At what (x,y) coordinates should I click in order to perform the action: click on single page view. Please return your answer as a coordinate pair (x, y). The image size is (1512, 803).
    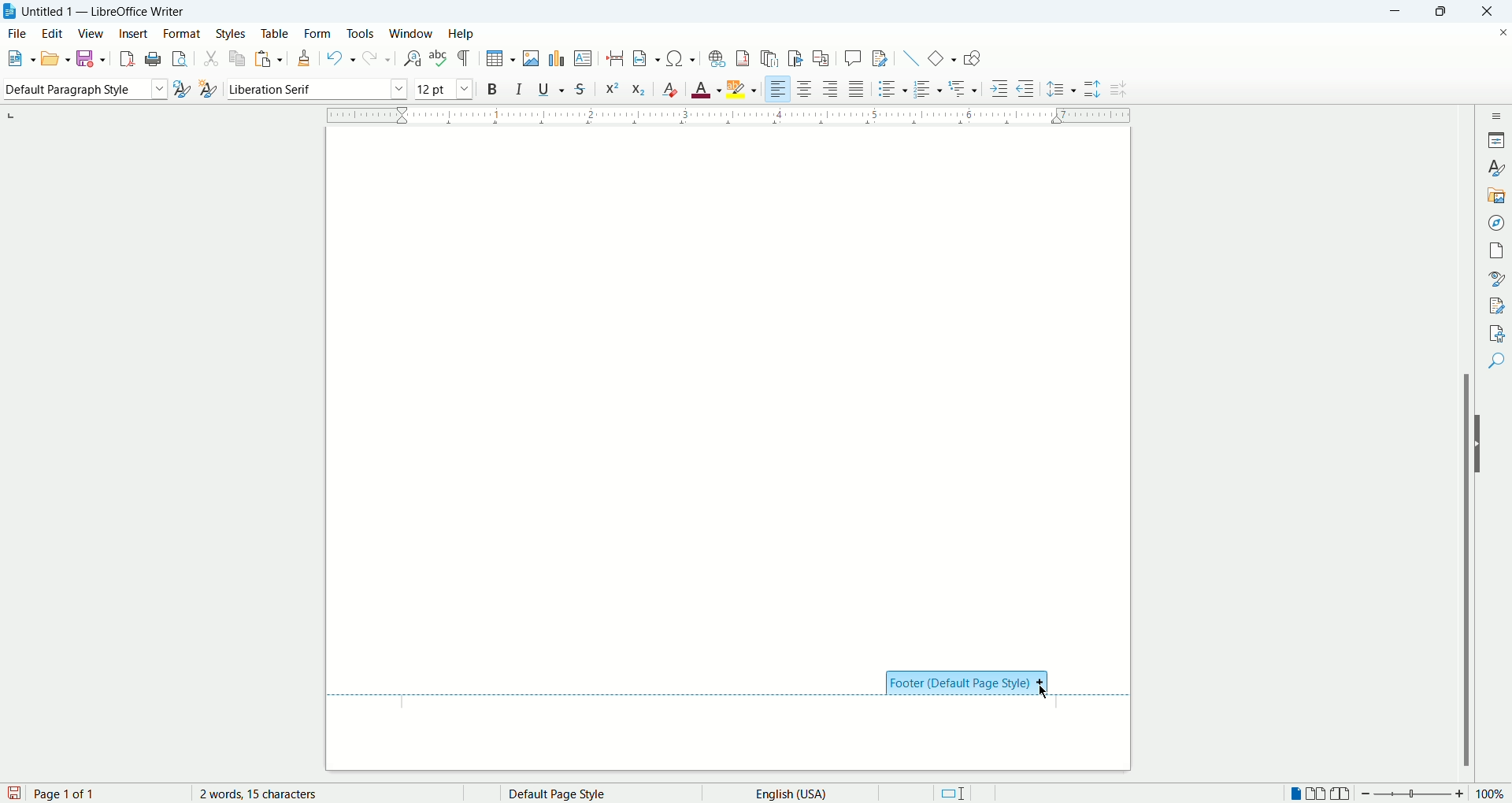
    Looking at the image, I should click on (1297, 795).